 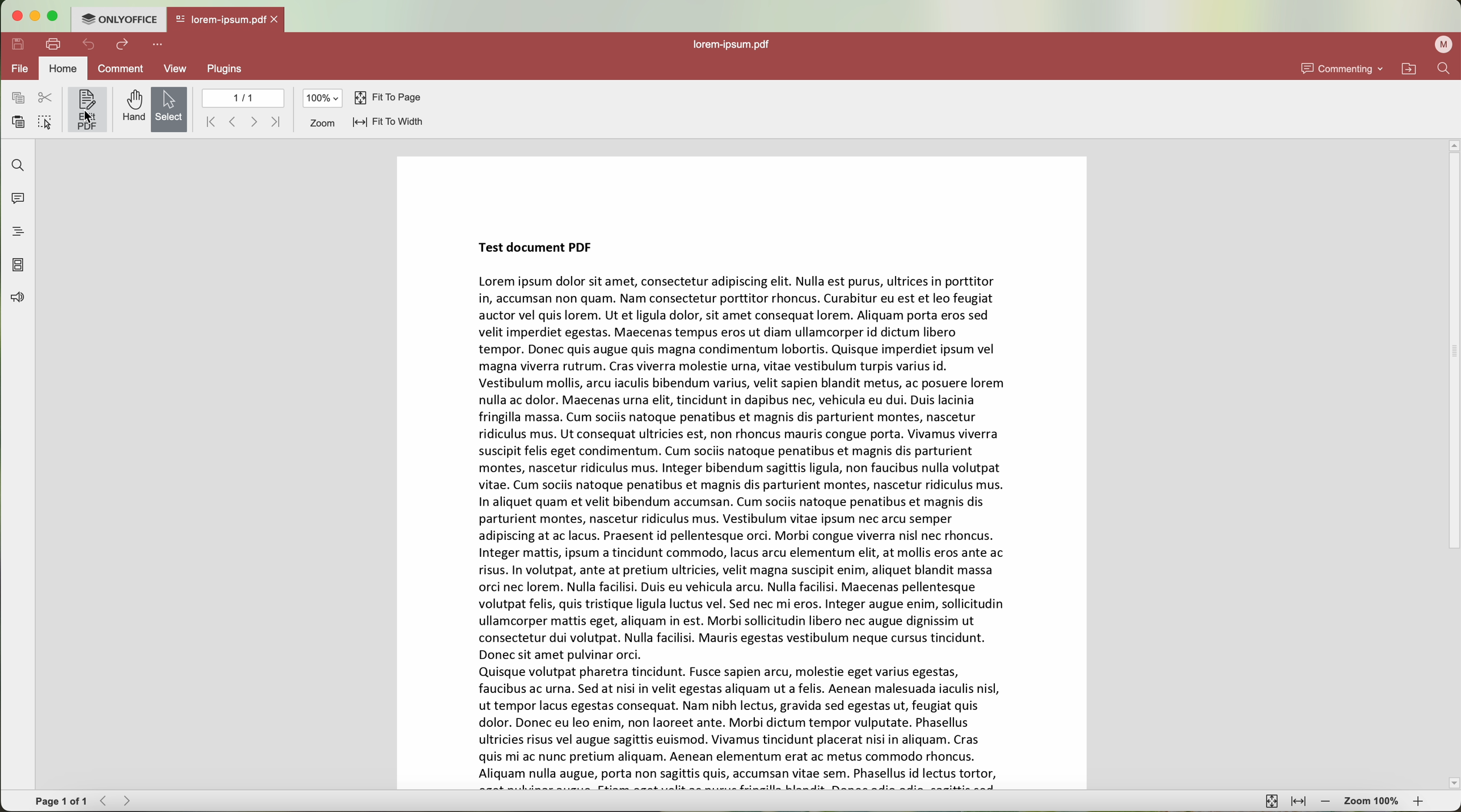 I want to click on 100%, so click(x=322, y=98).